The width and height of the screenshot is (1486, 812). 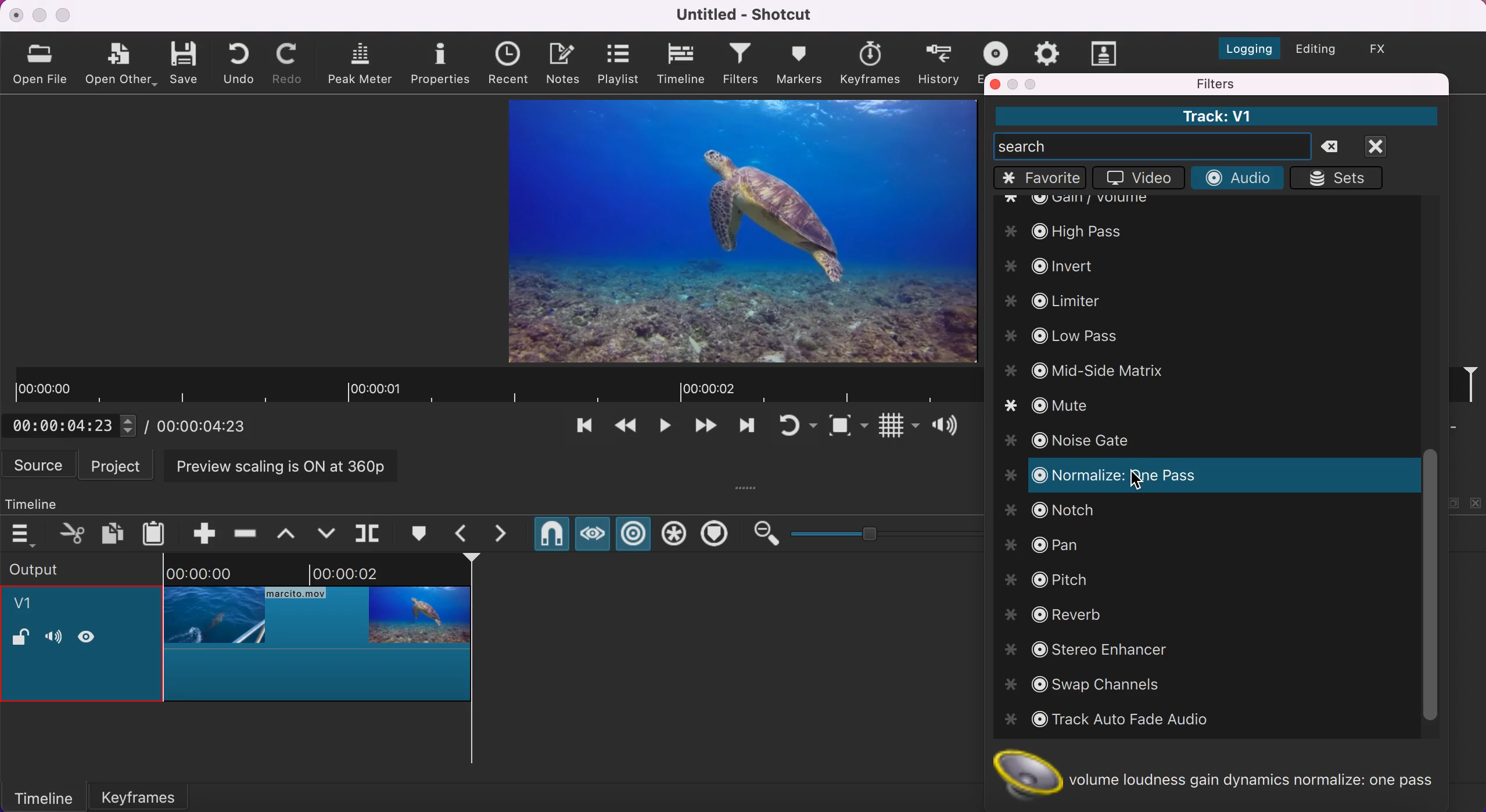 I want to click on mid size matrix, so click(x=1085, y=369).